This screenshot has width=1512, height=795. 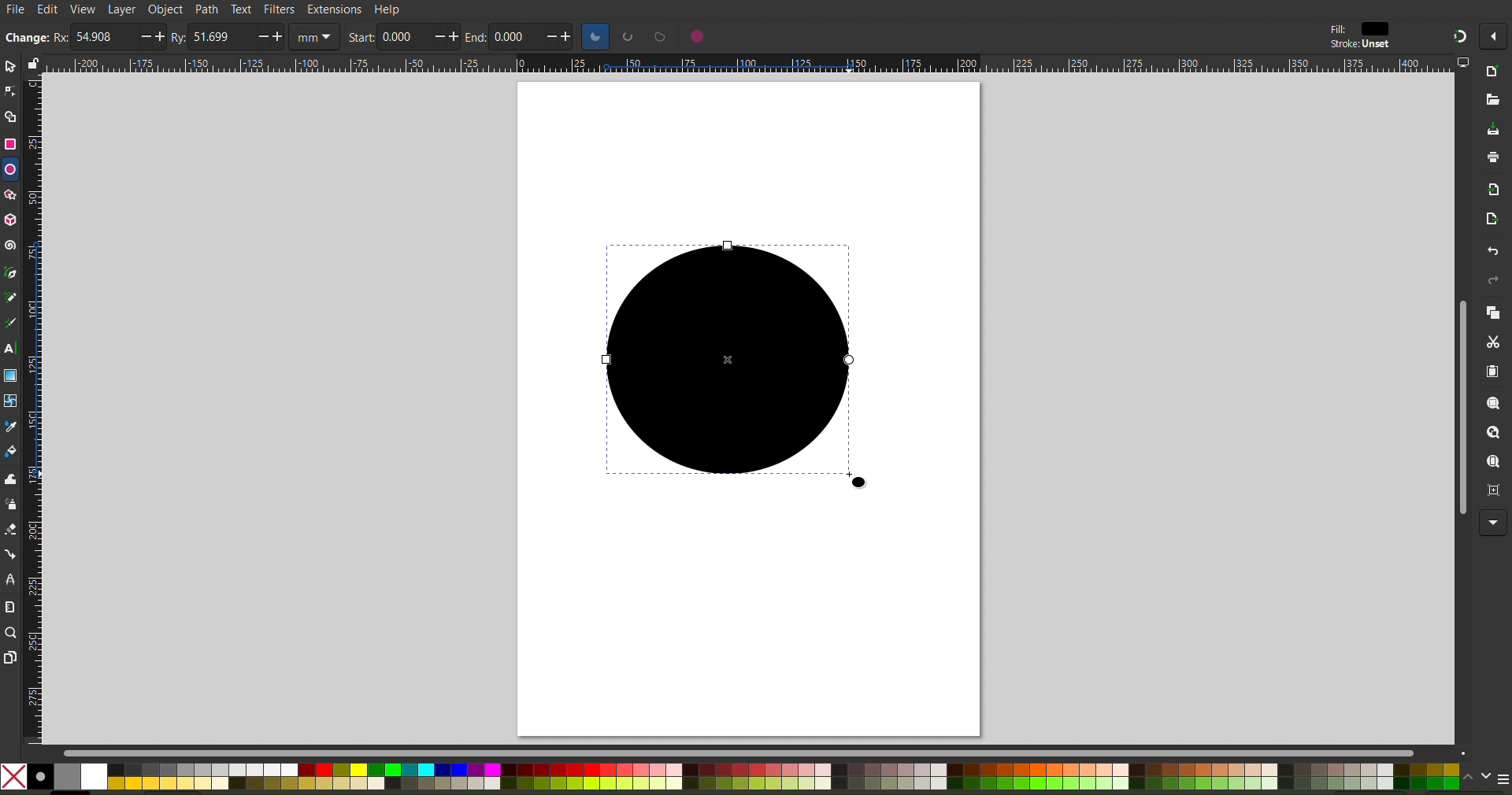 What do you see at coordinates (738, 356) in the screenshot?
I see `Circle (Dragged)` at bounding box center [738, 356].